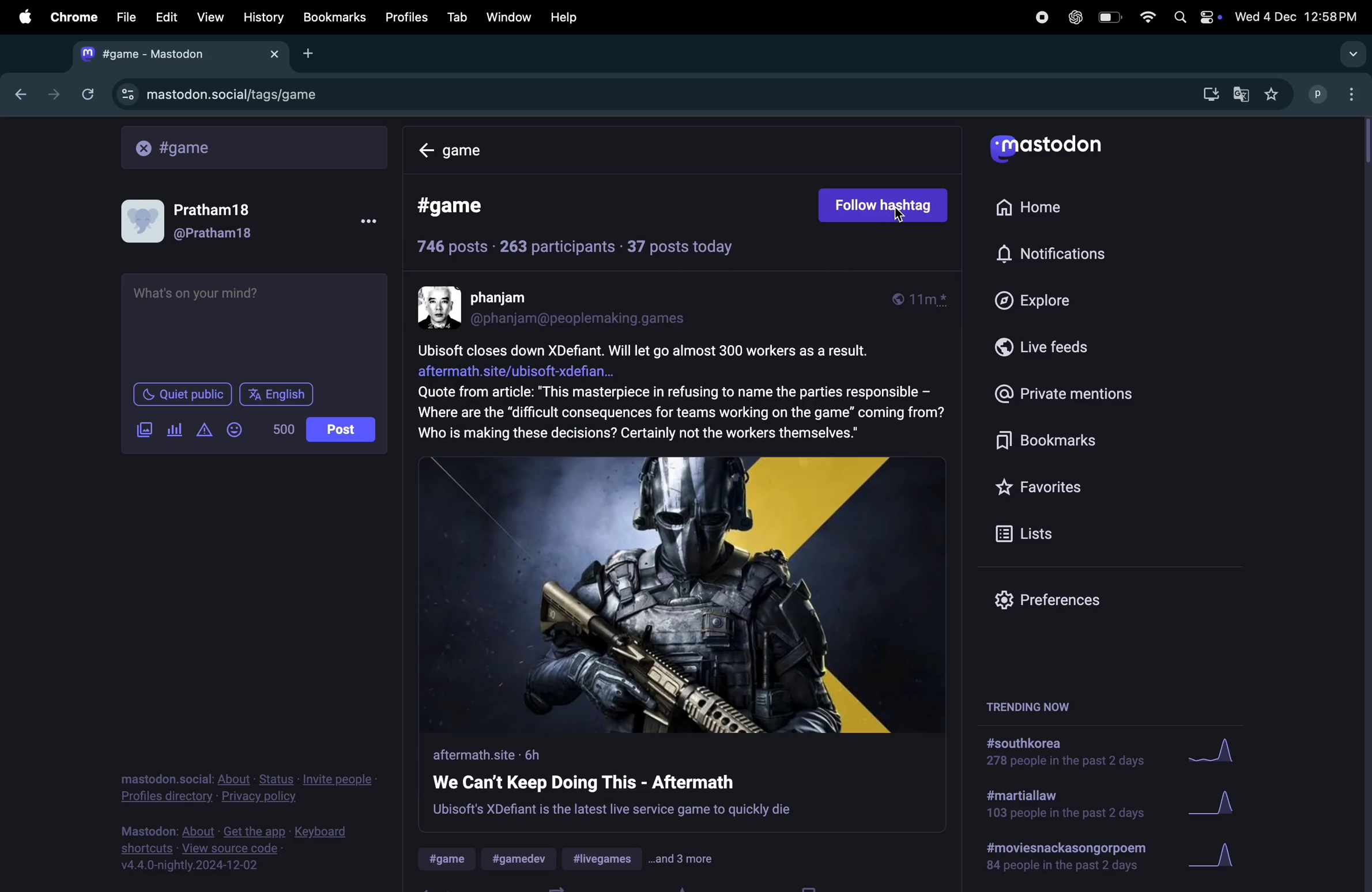 The image size is (1372, 892). Describe the element at coordinates (1049, 600) in the screenshot. I see `prefrences` at that location.